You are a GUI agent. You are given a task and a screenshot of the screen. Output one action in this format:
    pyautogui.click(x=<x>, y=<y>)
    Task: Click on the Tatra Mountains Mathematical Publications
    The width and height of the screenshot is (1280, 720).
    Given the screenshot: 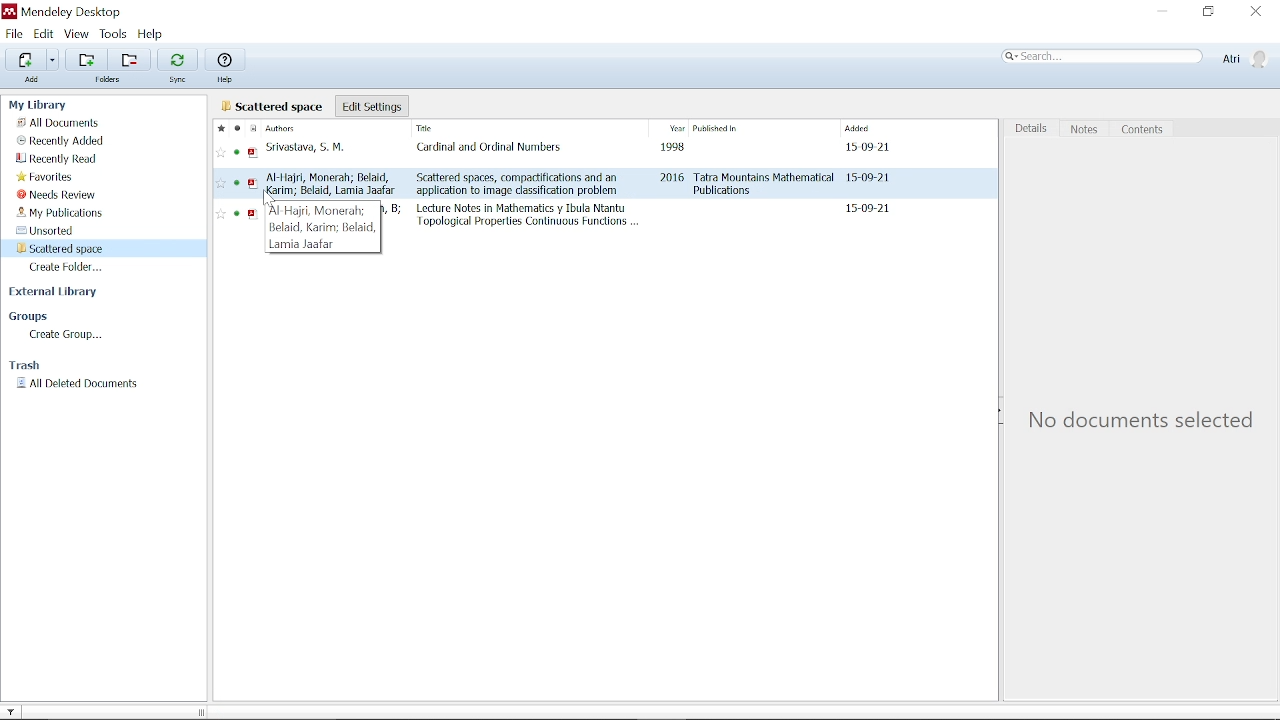 What is the action you would take?
    pyautogui.click(x=764, y=184)
    